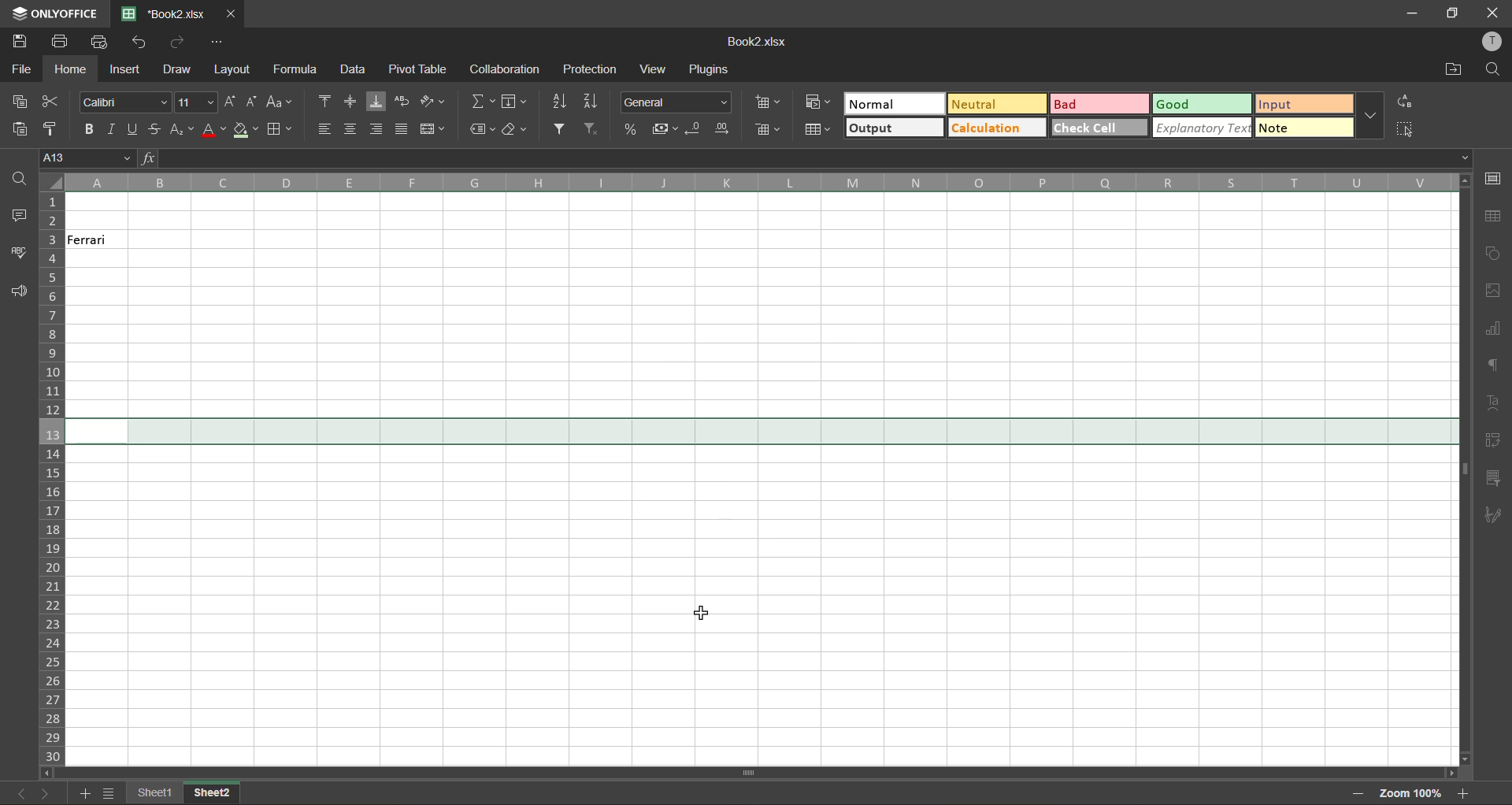 This screenshot has height=805, width=1512. What do you see at coordinates (152, 128) in the screenshot?
I see `strikethrough` at bounding box center [152, 128].